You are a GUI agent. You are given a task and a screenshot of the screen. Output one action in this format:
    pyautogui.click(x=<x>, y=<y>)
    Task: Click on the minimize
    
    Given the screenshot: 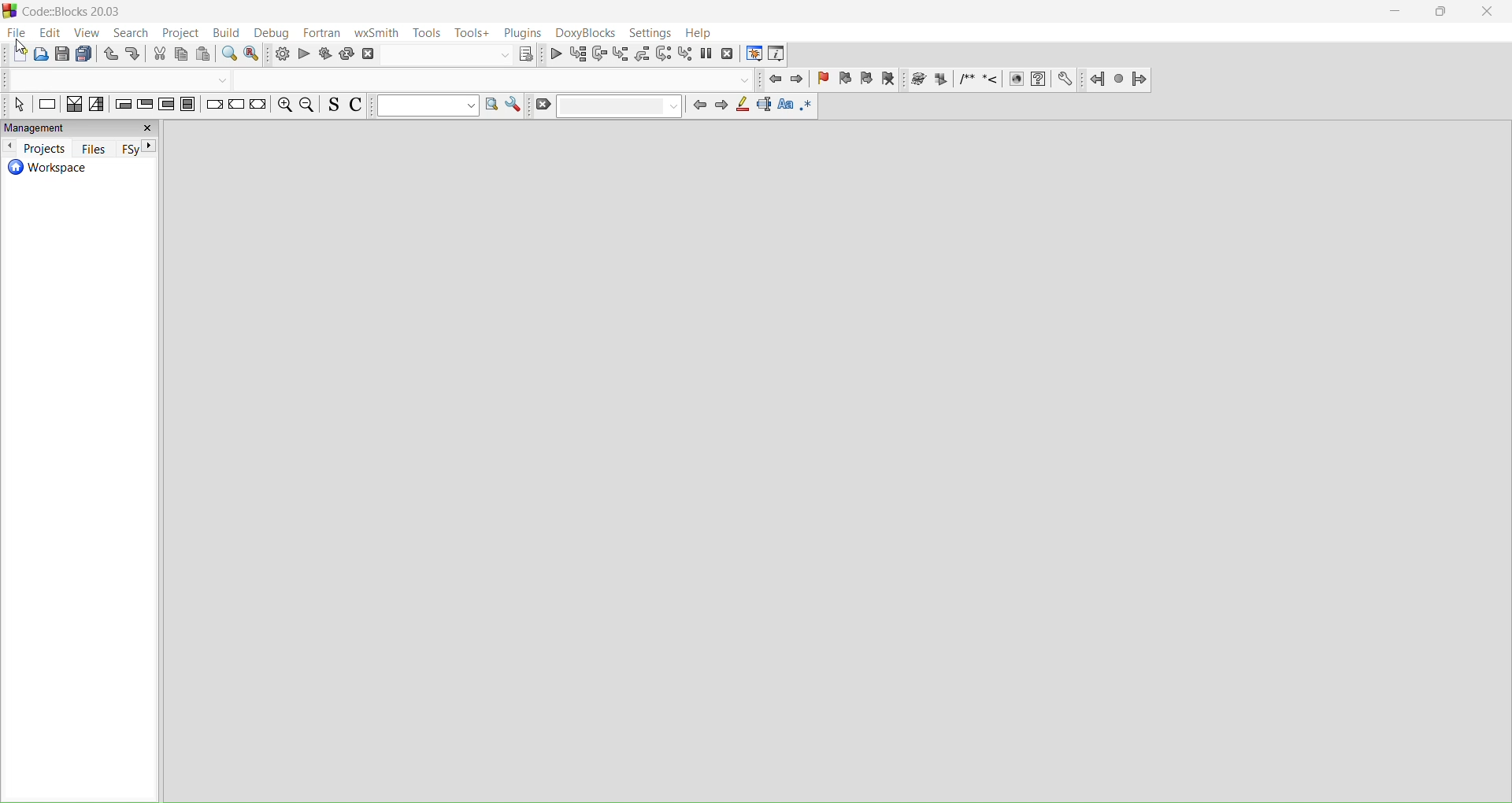 What is the action you would take?
    pyautogui.click(x=1395, y=14)
    